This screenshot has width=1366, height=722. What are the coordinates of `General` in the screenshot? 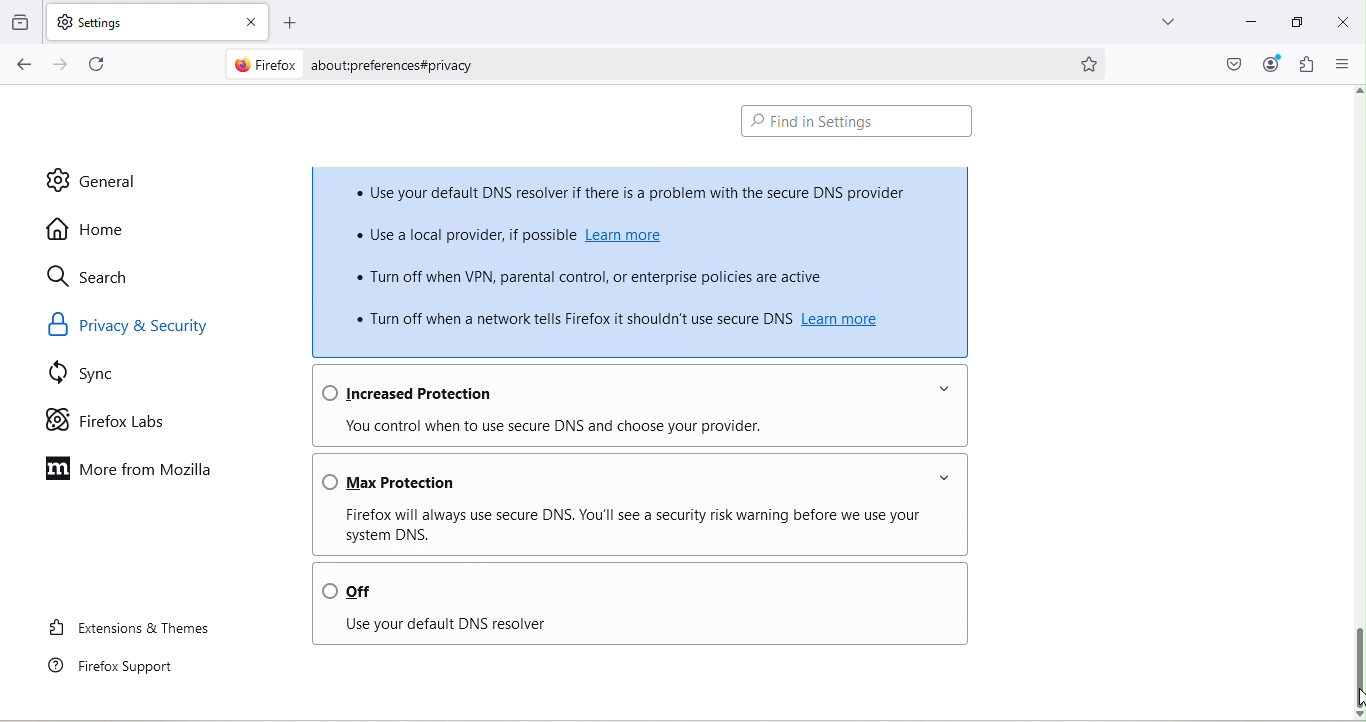 It's located at (91, 180).